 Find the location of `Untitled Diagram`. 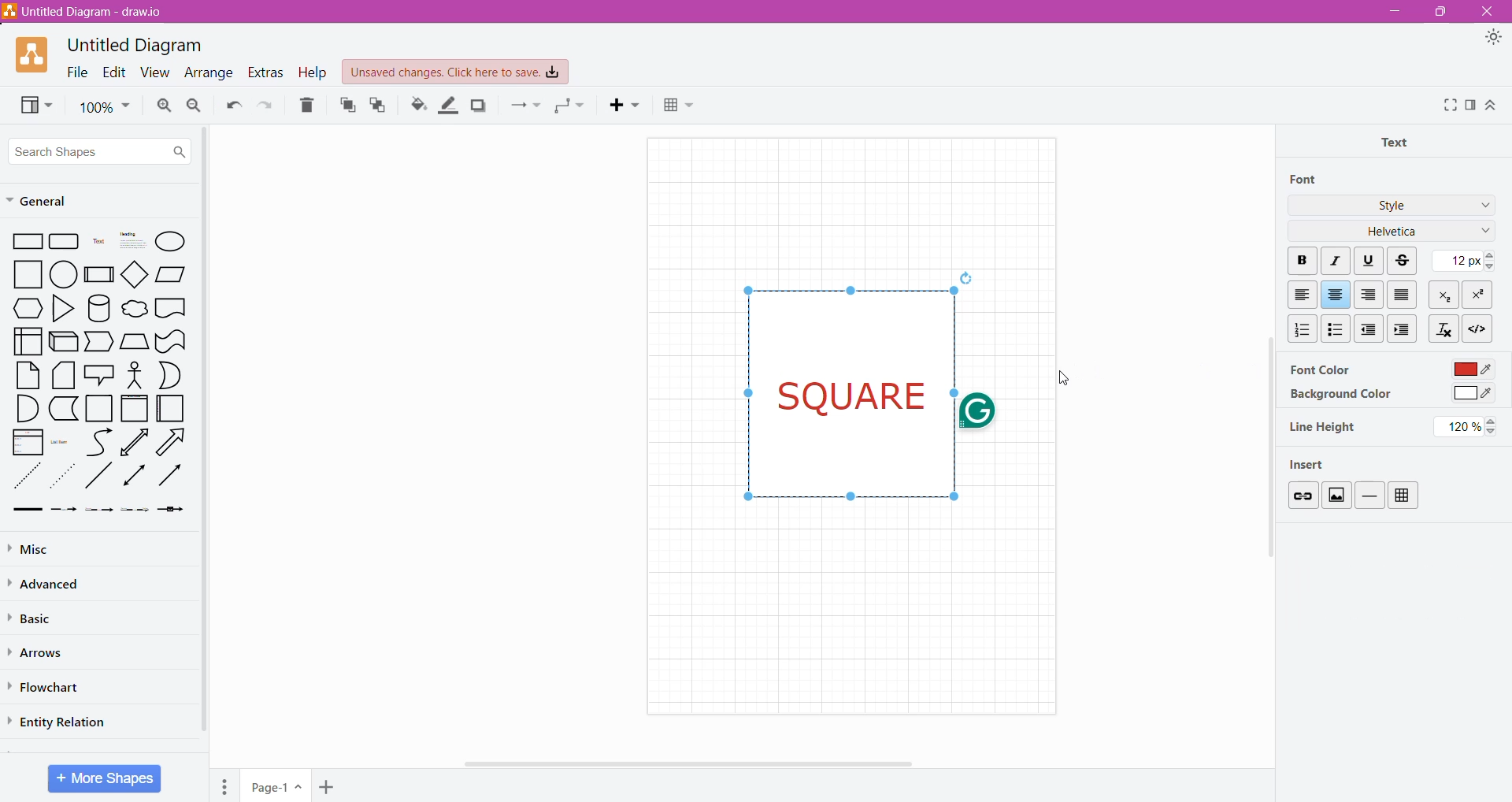

Untitled Diagram is located at coordinates (139, 45).